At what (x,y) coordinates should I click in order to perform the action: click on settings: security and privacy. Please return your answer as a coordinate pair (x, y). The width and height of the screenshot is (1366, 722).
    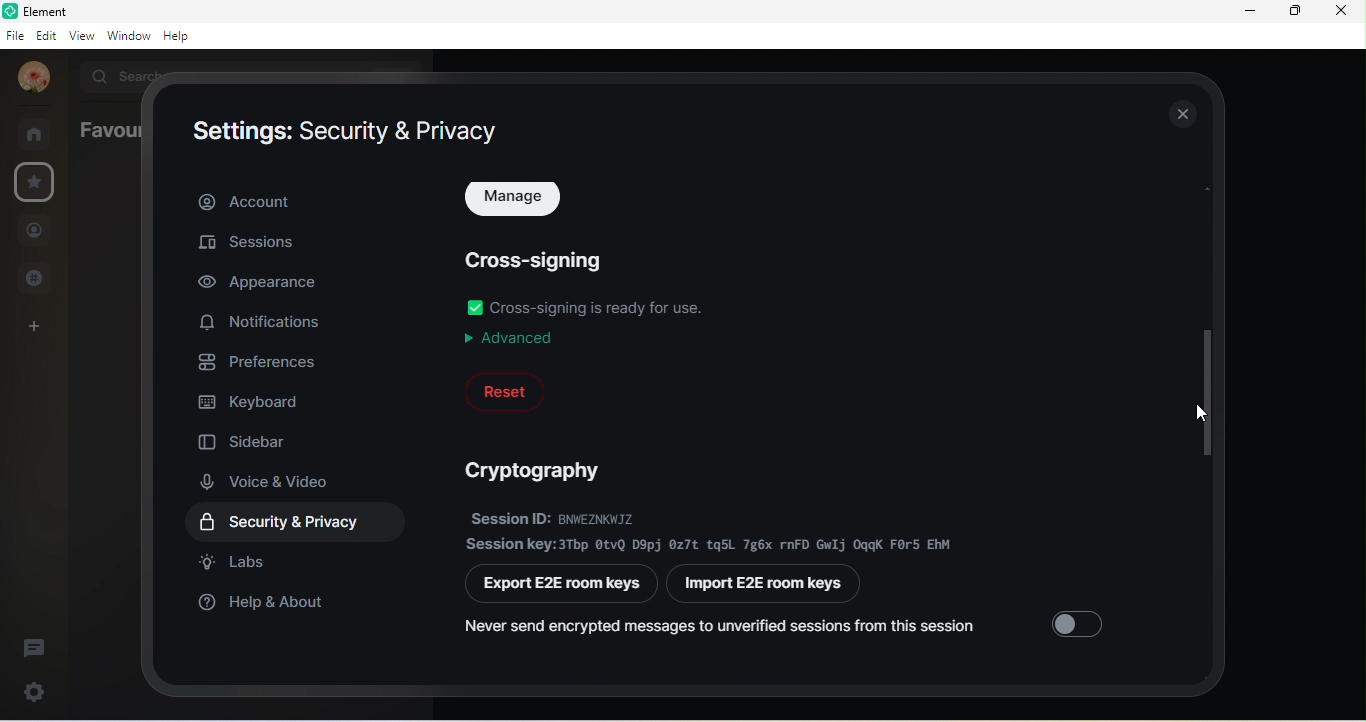
    Looking at the image, I should click on (347, 132).